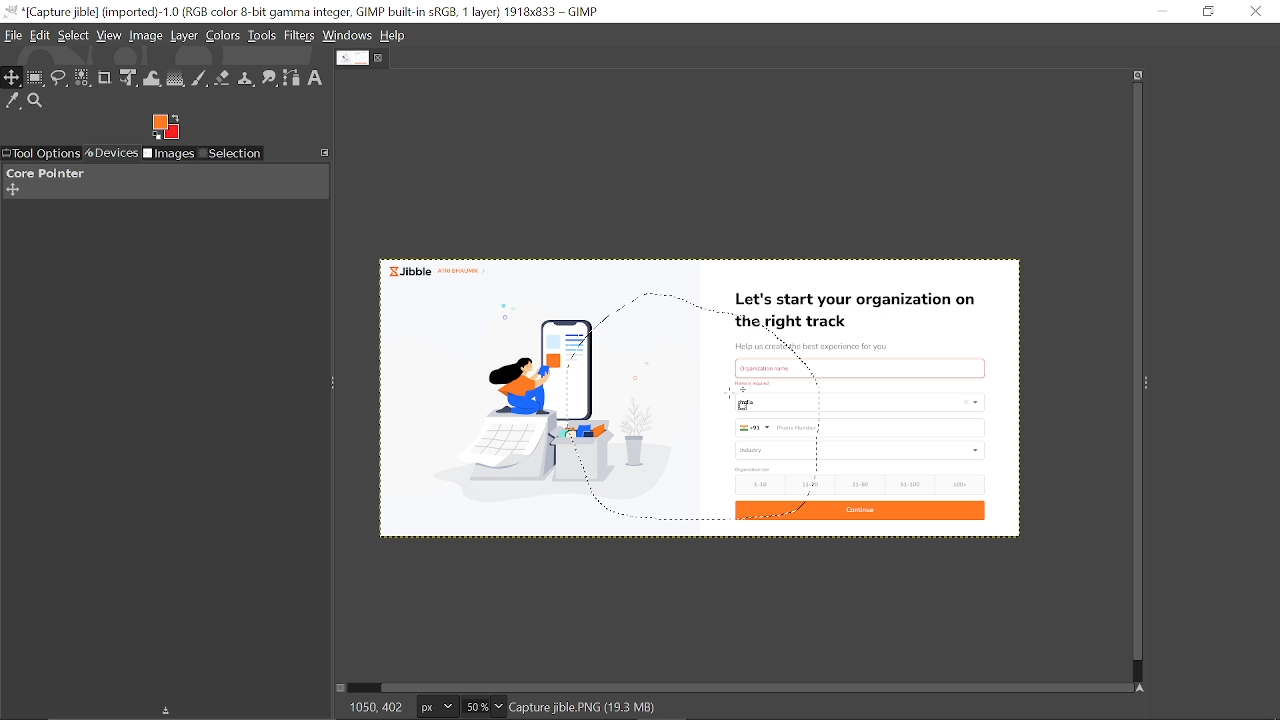 The image size is (1280, 720). I want to click on Image unit, so click(438, 708).